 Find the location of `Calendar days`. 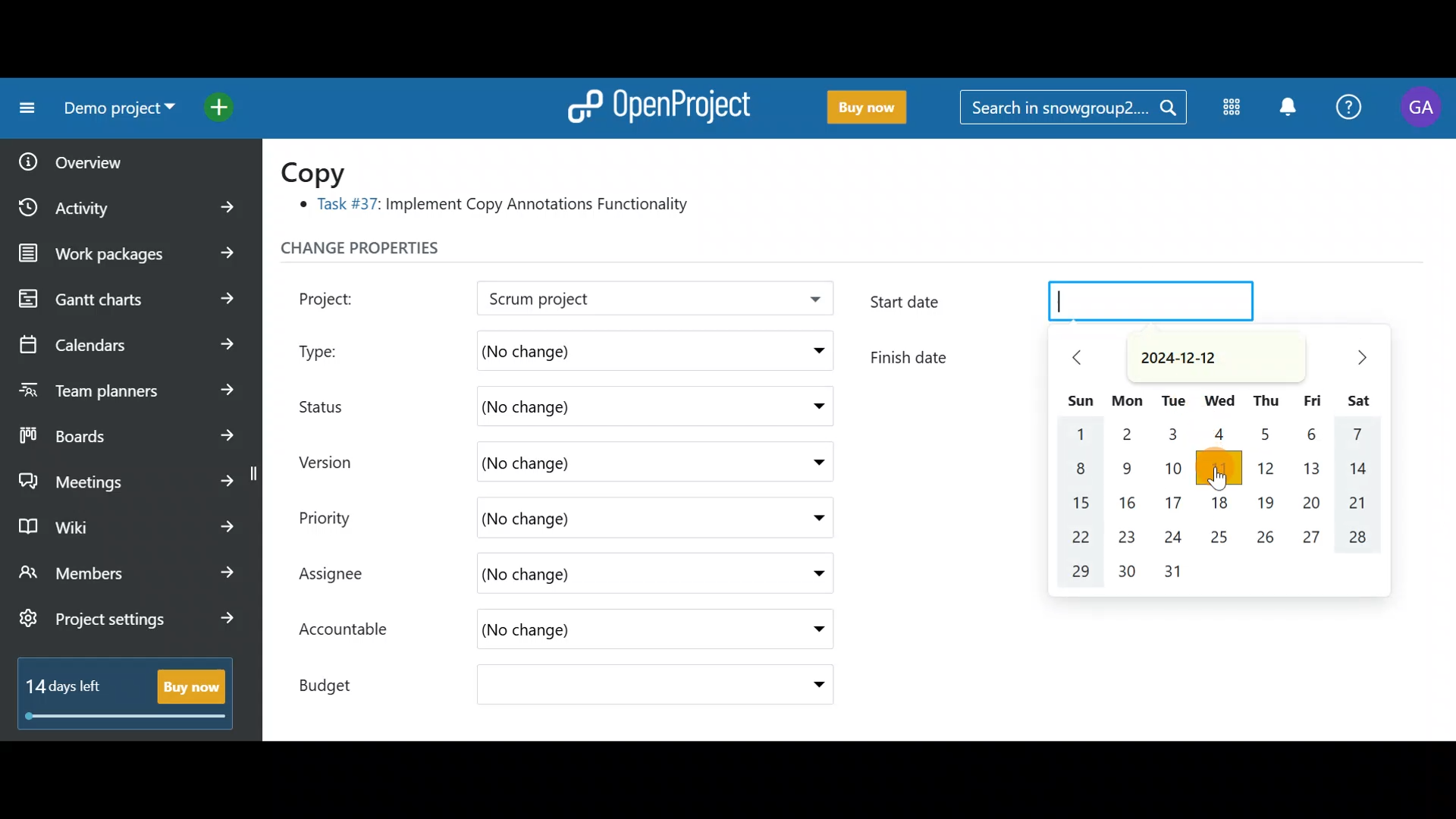

Calendar days is located at coordinates (1221, 508).